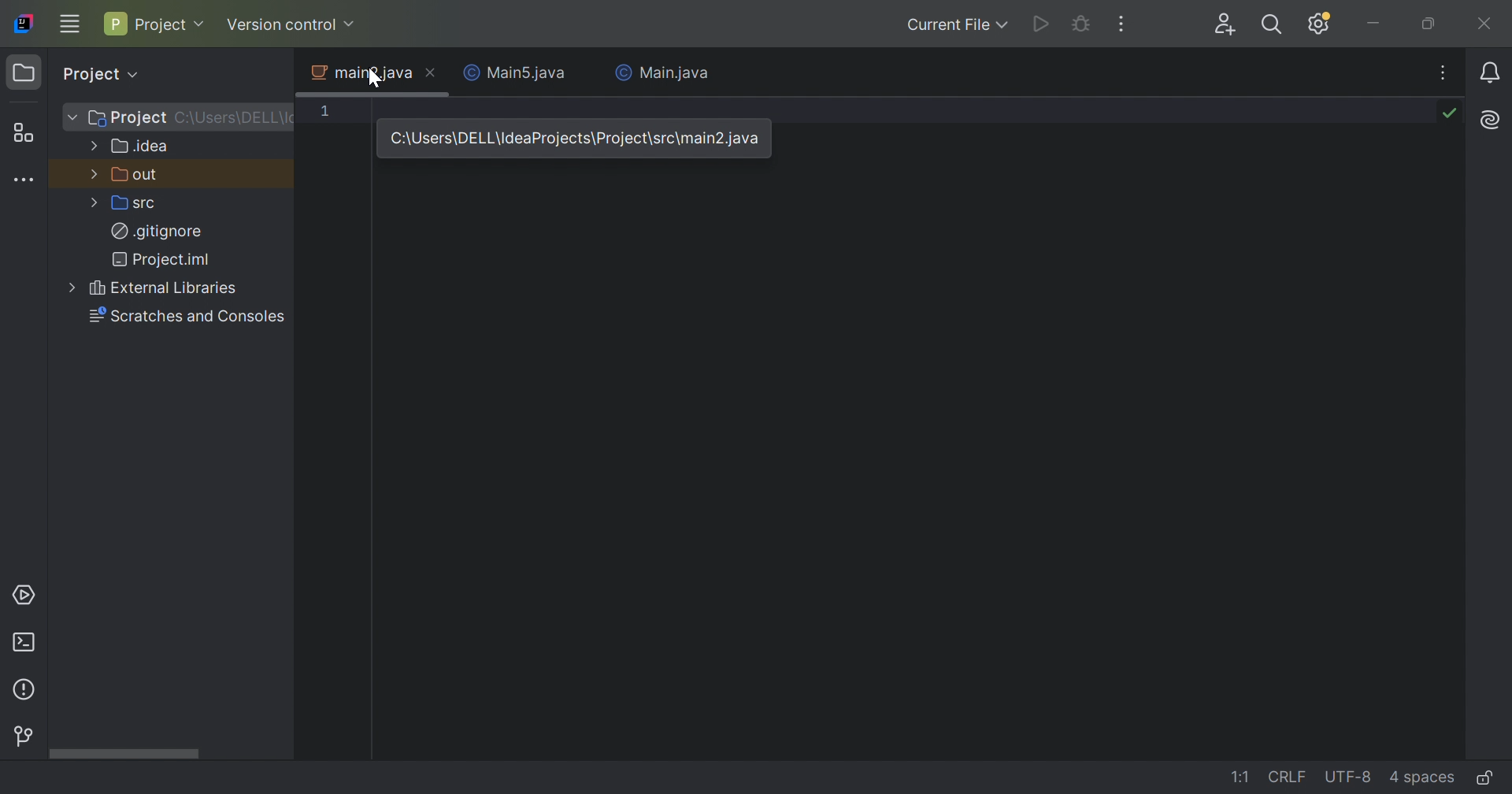  What do you see at coordinates (22, 71) in the screenshot?
I see `Project icon` at bounding box center [22, 71].